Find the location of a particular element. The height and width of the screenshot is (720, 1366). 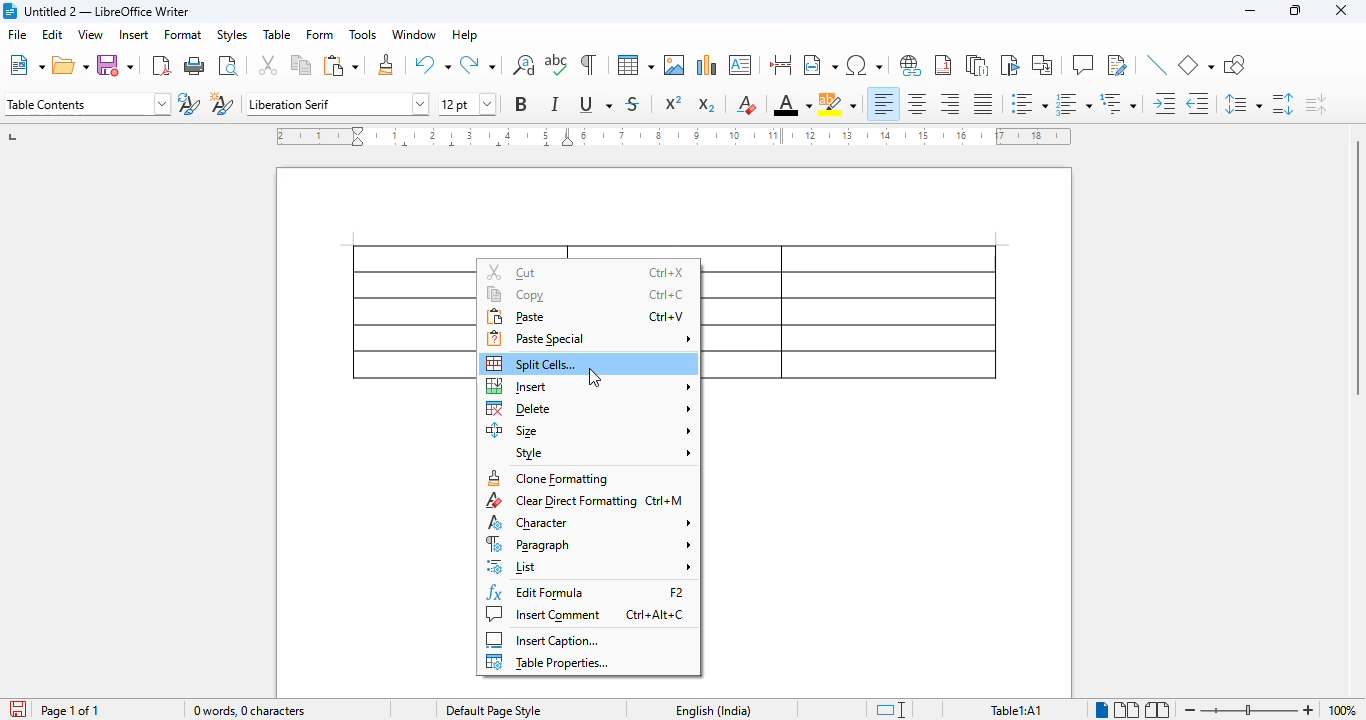

insert chart is located at coordinates (707, 65).